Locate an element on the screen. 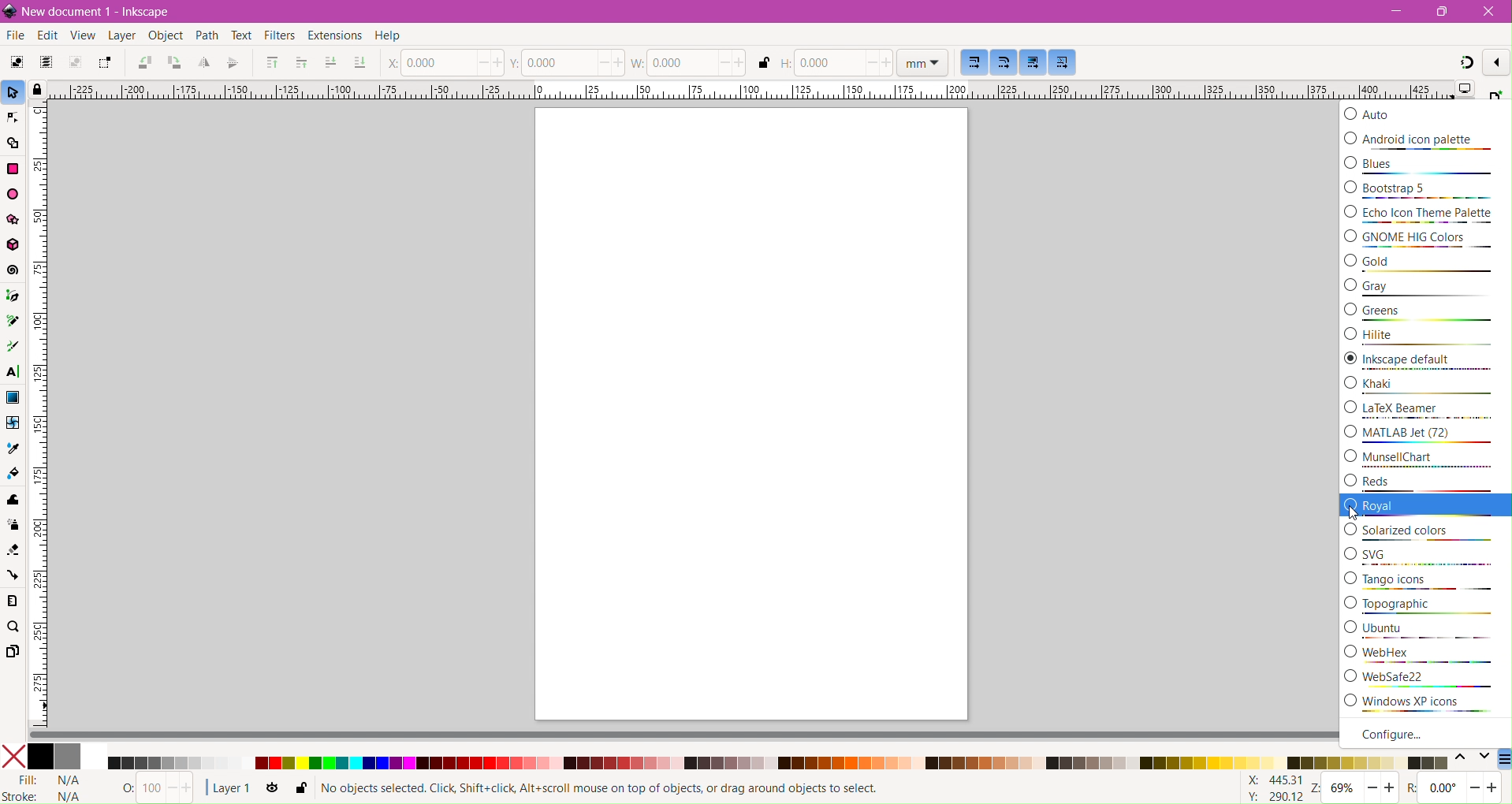 Image resolution: width=1512 pixels, height=804 pixels. Text Tool is located at coordinates (13, 373).